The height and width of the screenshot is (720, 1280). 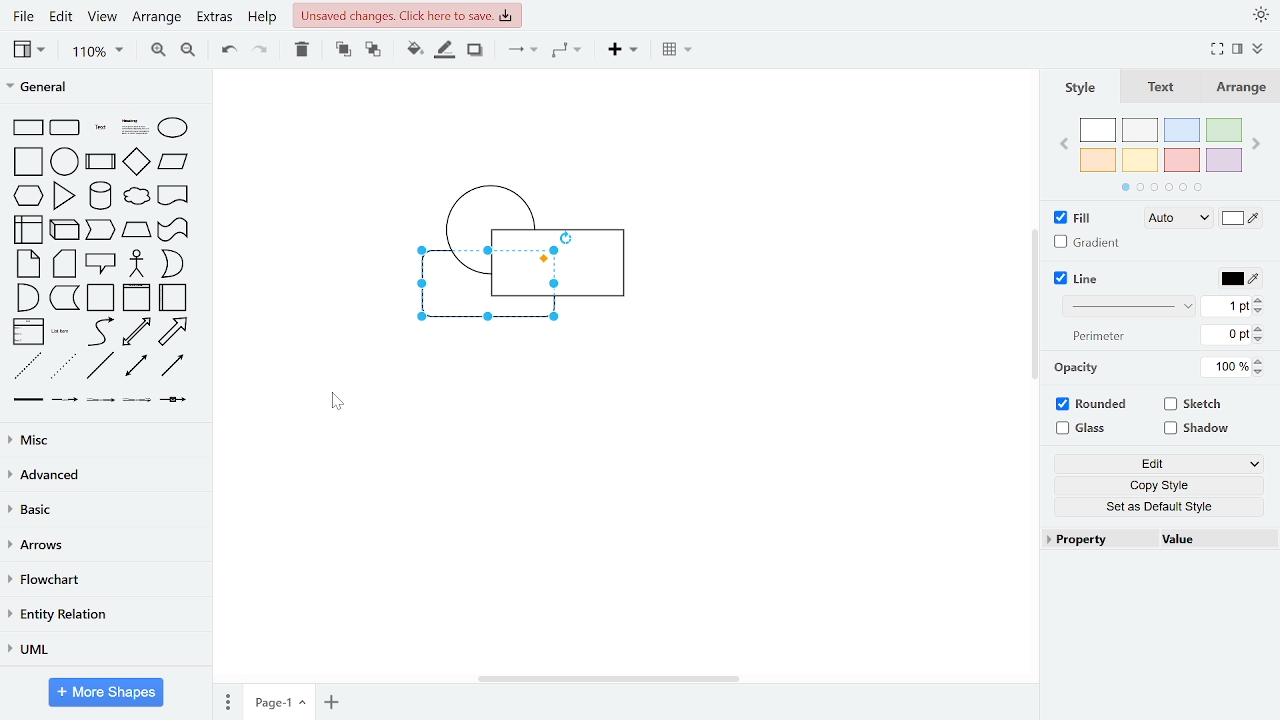 What do you see at coordinates (259, 52) in the screenshot?
I see `redo` at bounding box center [259, 52].